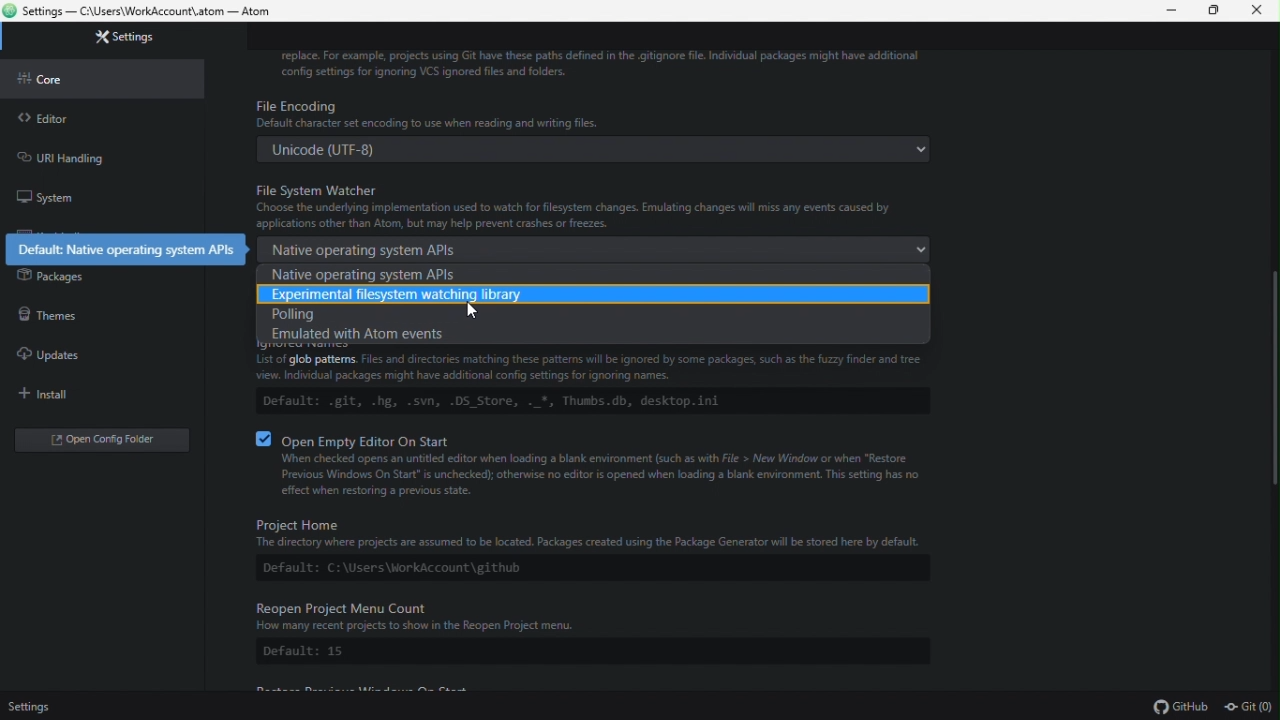 Image resolution: width=1280 pixels, height=720 pixels. What do you see at coordinates (51, 313) in the screenshot?
I see `Themes` at bounding box center [51, 313].